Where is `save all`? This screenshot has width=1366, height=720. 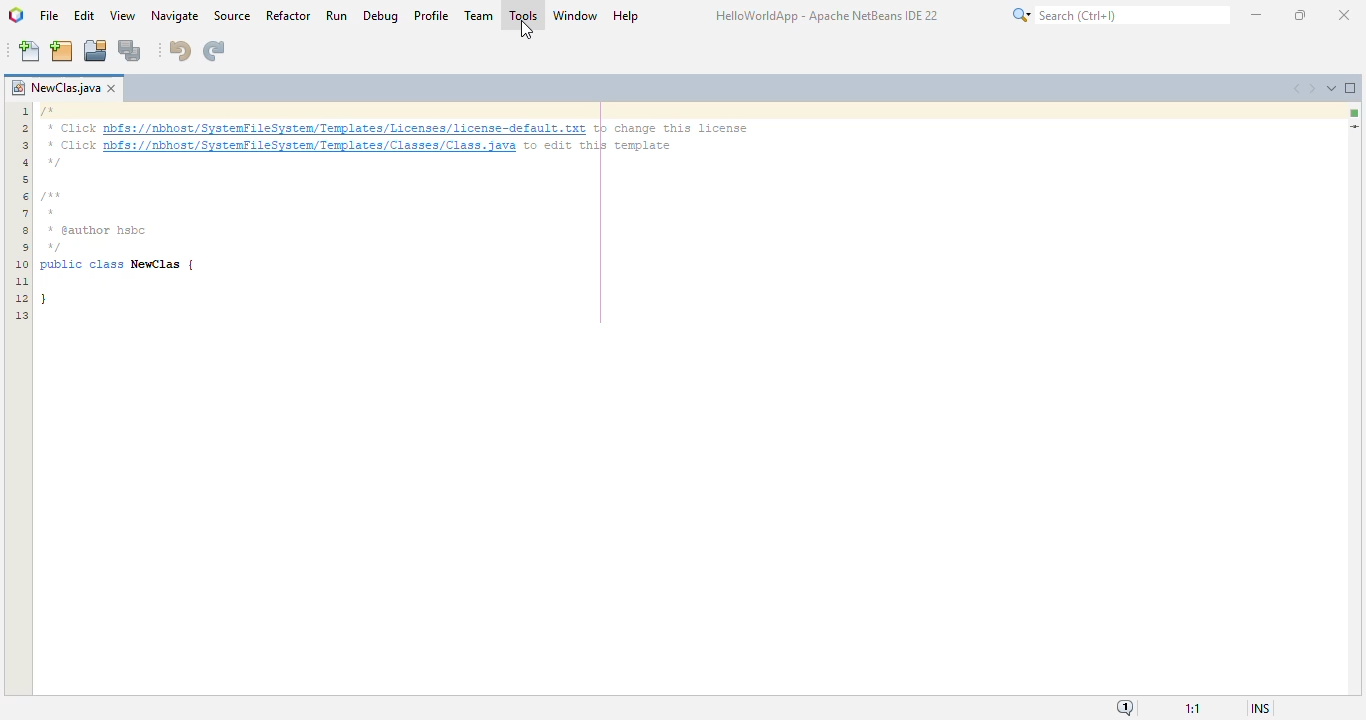
save all is located at coordinates (130, 50).